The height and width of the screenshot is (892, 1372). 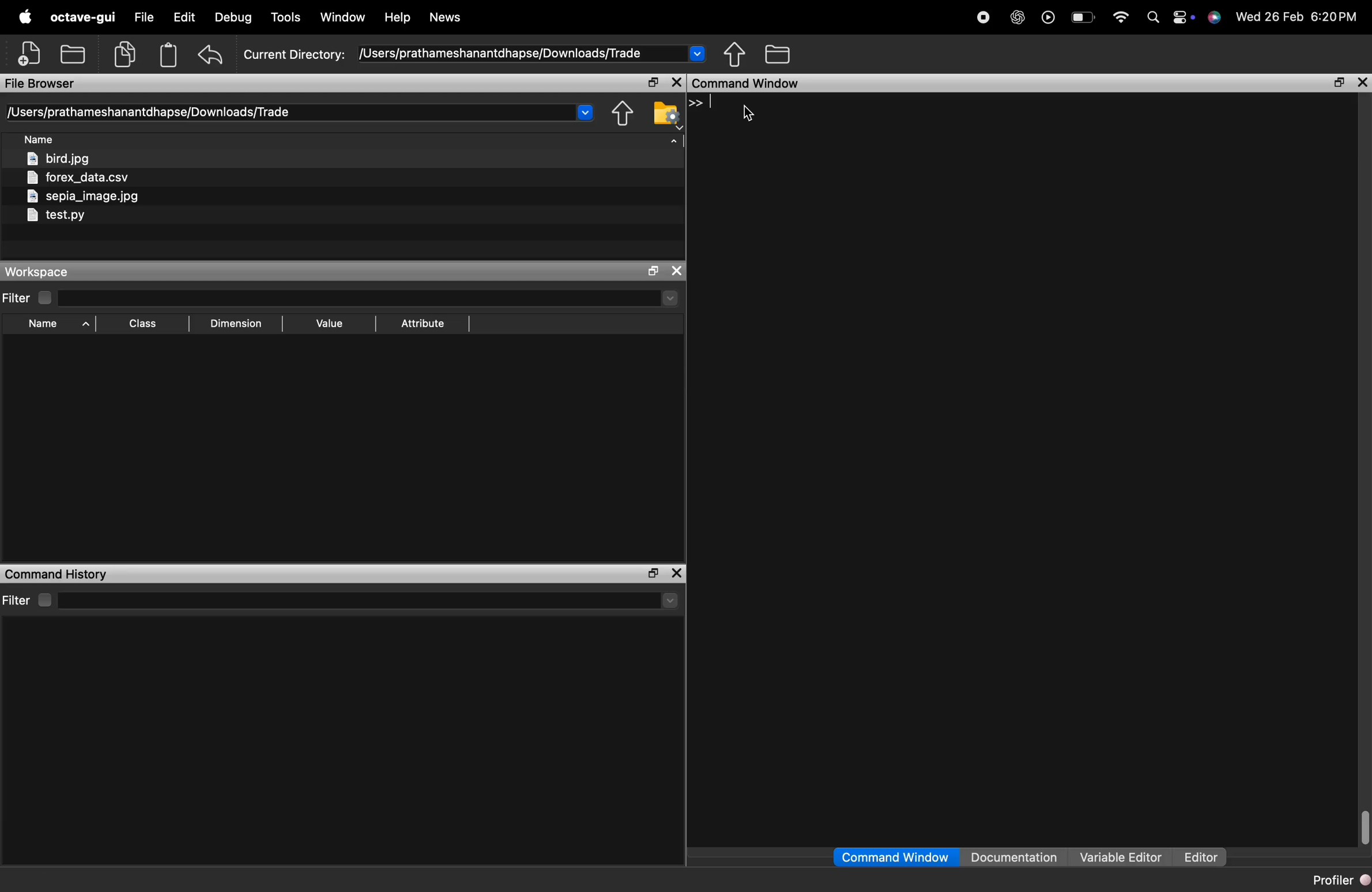 I want to click on News, so click(x=446, y=17).